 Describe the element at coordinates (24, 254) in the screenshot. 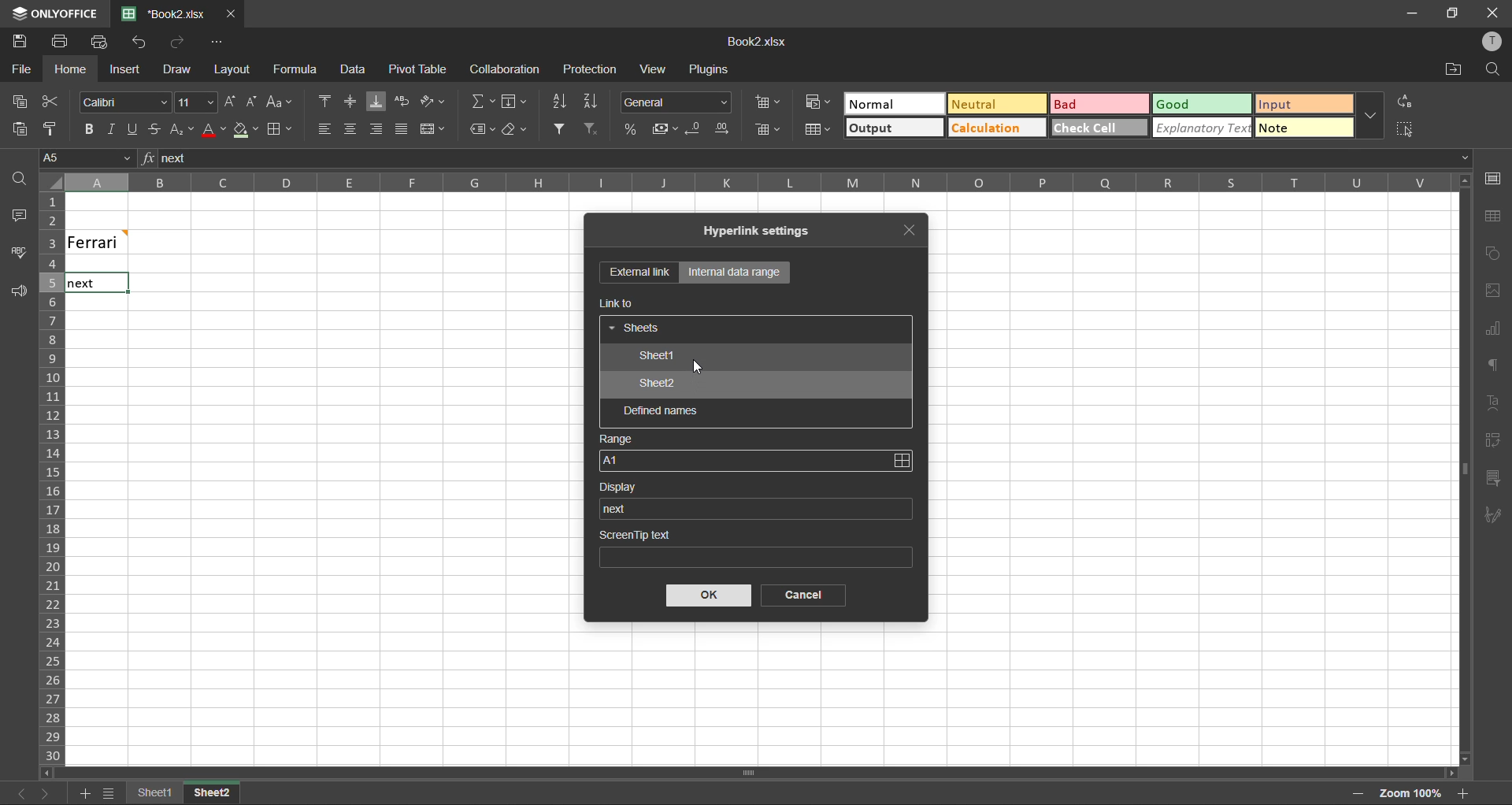

I see `spellcheck` at that location.